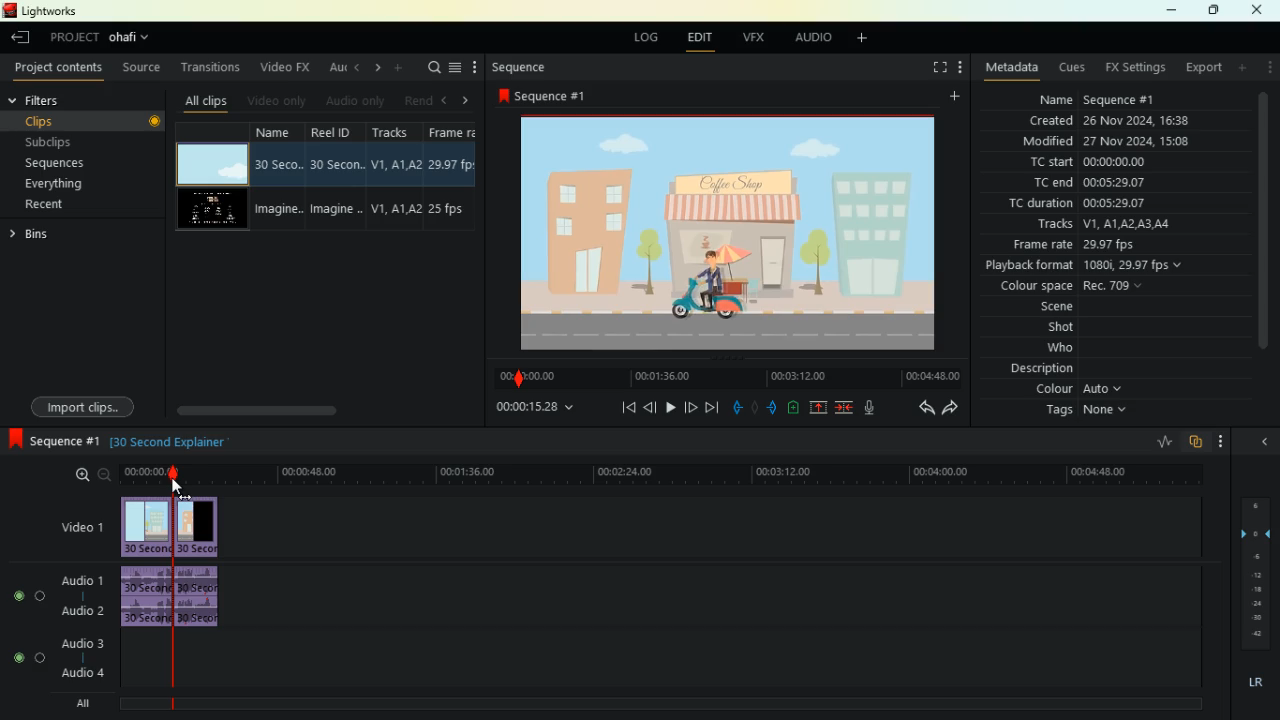 This screenshot has height=720, width=1280. What do you see at coordinates (19, 628) in the screenshot?
I see `buttons` at bounding box center [19, 628].